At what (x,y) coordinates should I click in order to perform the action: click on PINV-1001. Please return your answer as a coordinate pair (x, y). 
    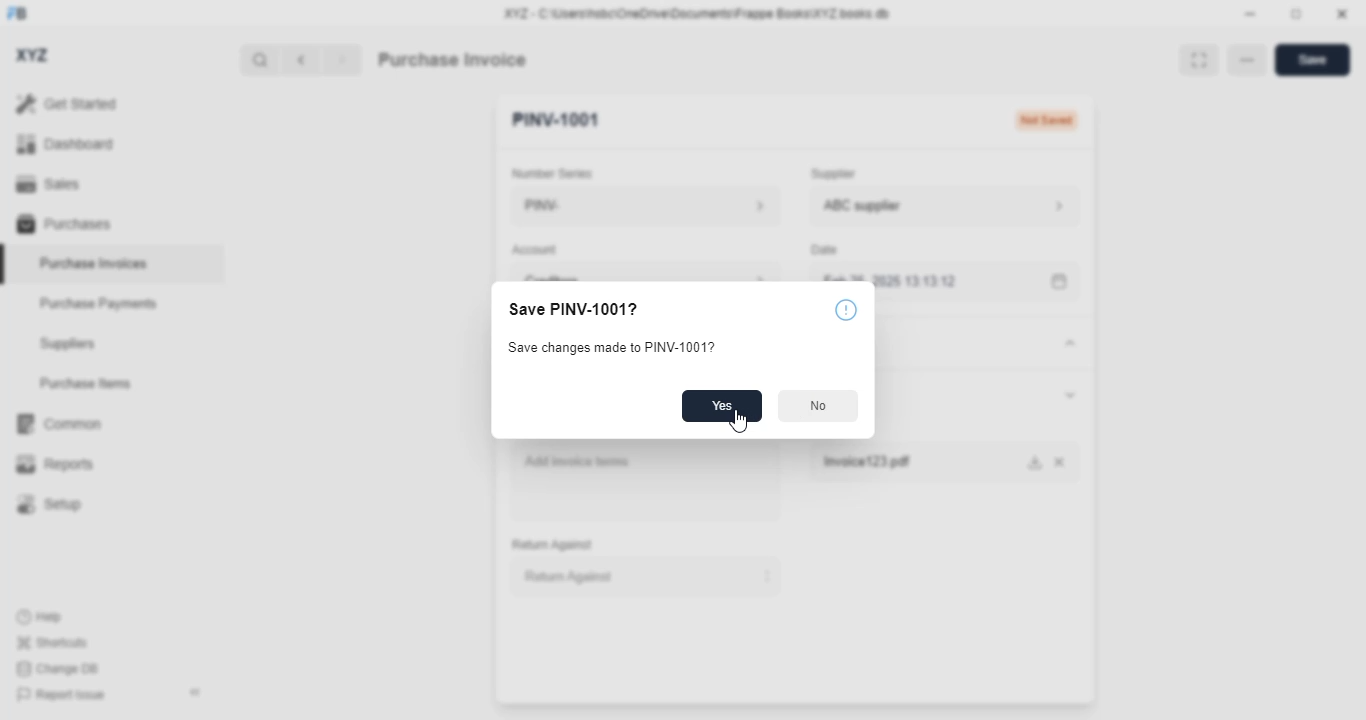
    Looking at the image, I should click on (556, 120).